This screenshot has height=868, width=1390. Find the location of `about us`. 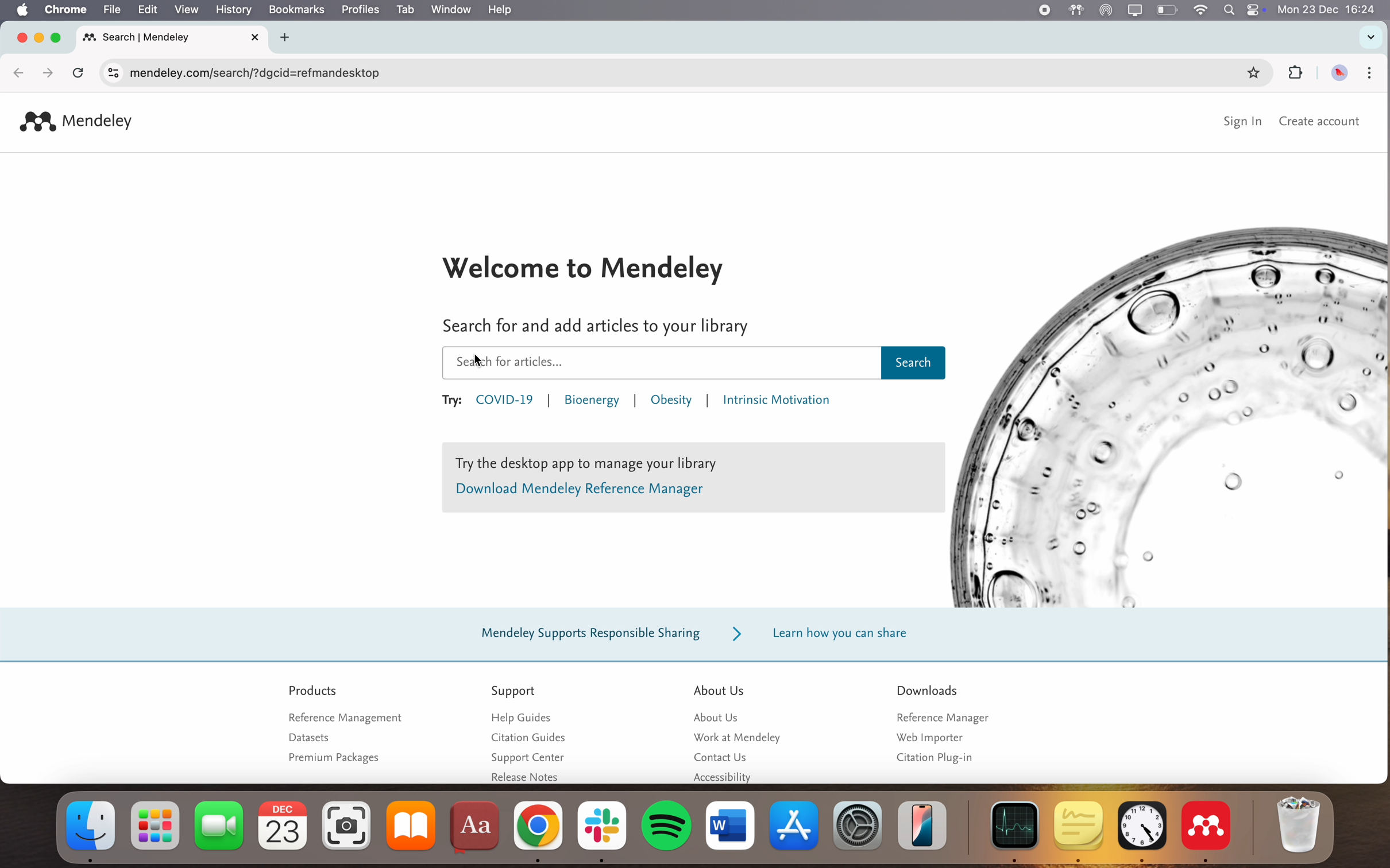

about us is located at coordinates (719, 689).